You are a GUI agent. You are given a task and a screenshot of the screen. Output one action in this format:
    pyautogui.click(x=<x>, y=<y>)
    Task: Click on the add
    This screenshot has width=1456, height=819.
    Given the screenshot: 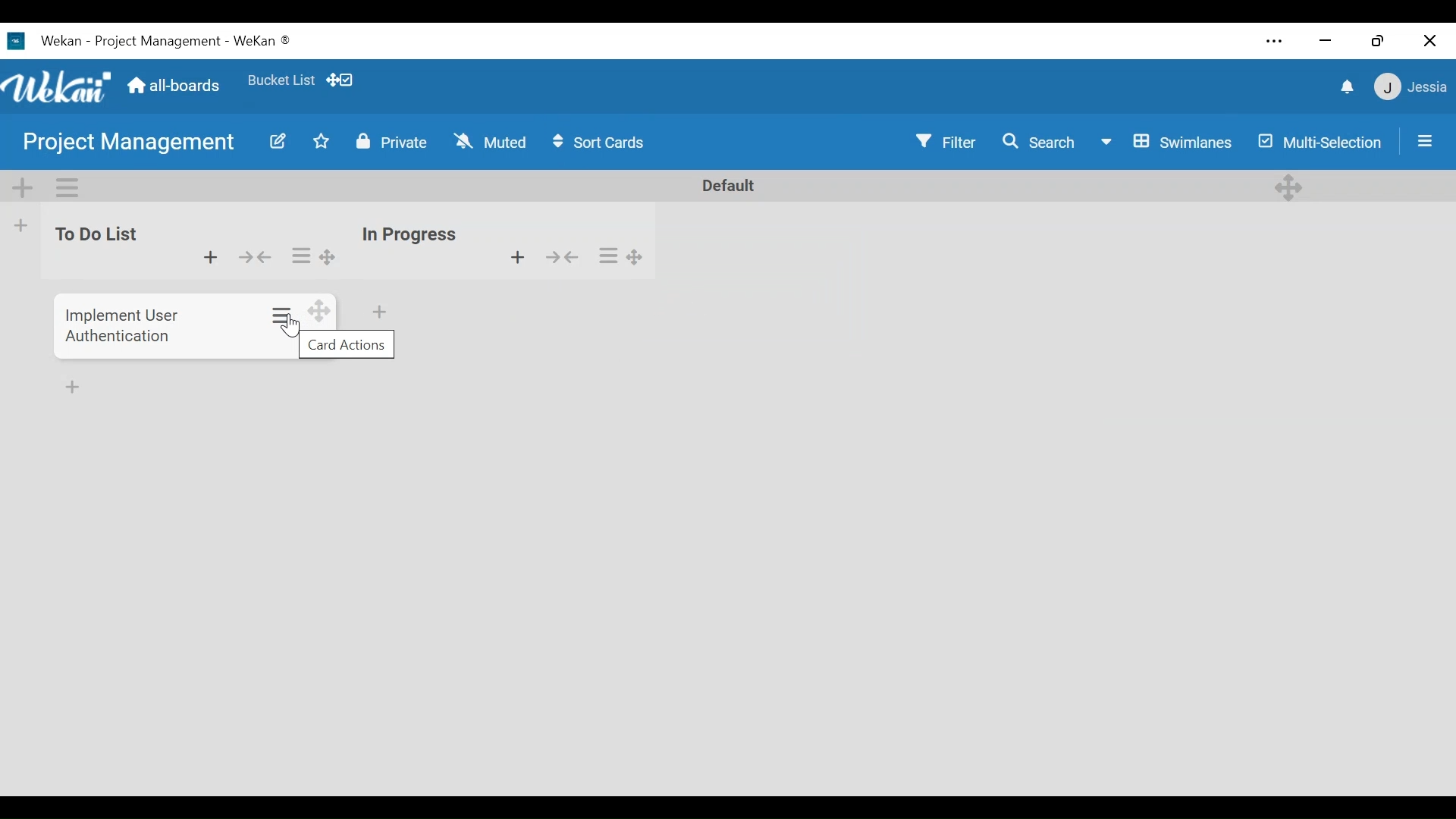 What is the action you would take?
    pyautogui.click(x=507, y=257)
    